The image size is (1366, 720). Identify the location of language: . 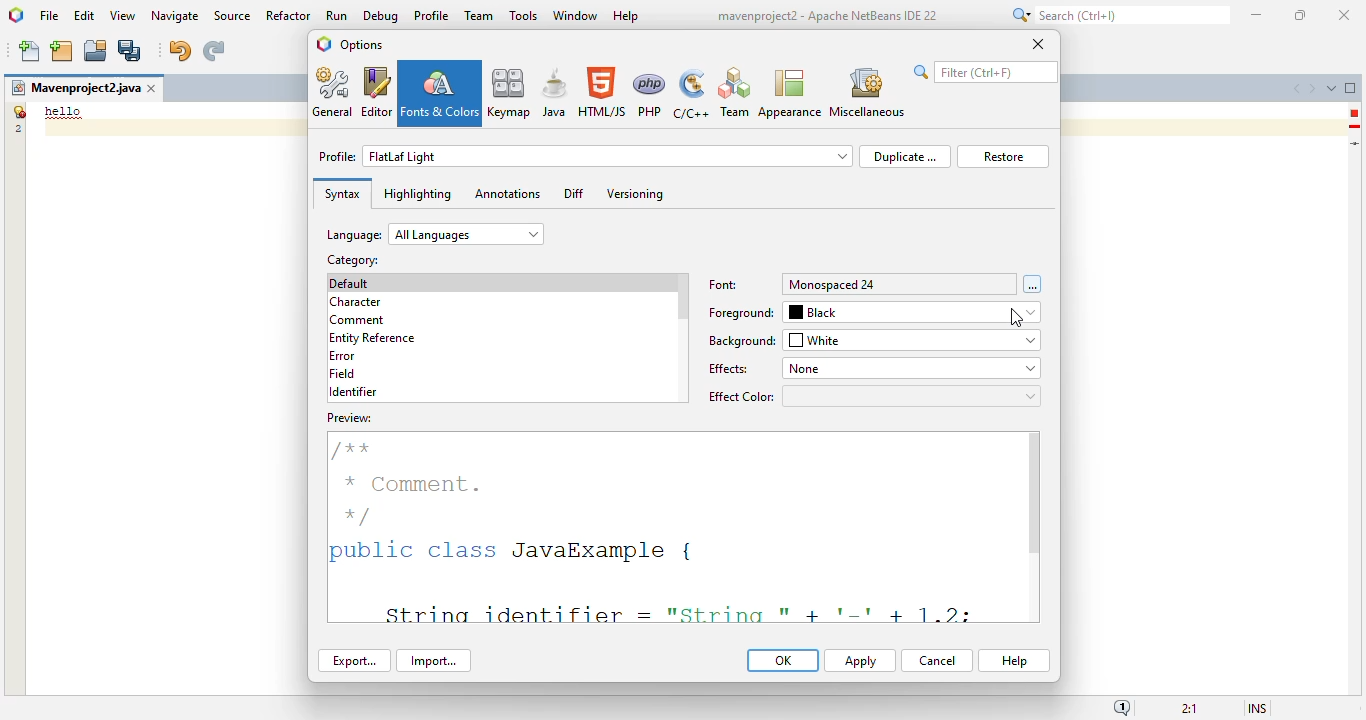
(435, 234).